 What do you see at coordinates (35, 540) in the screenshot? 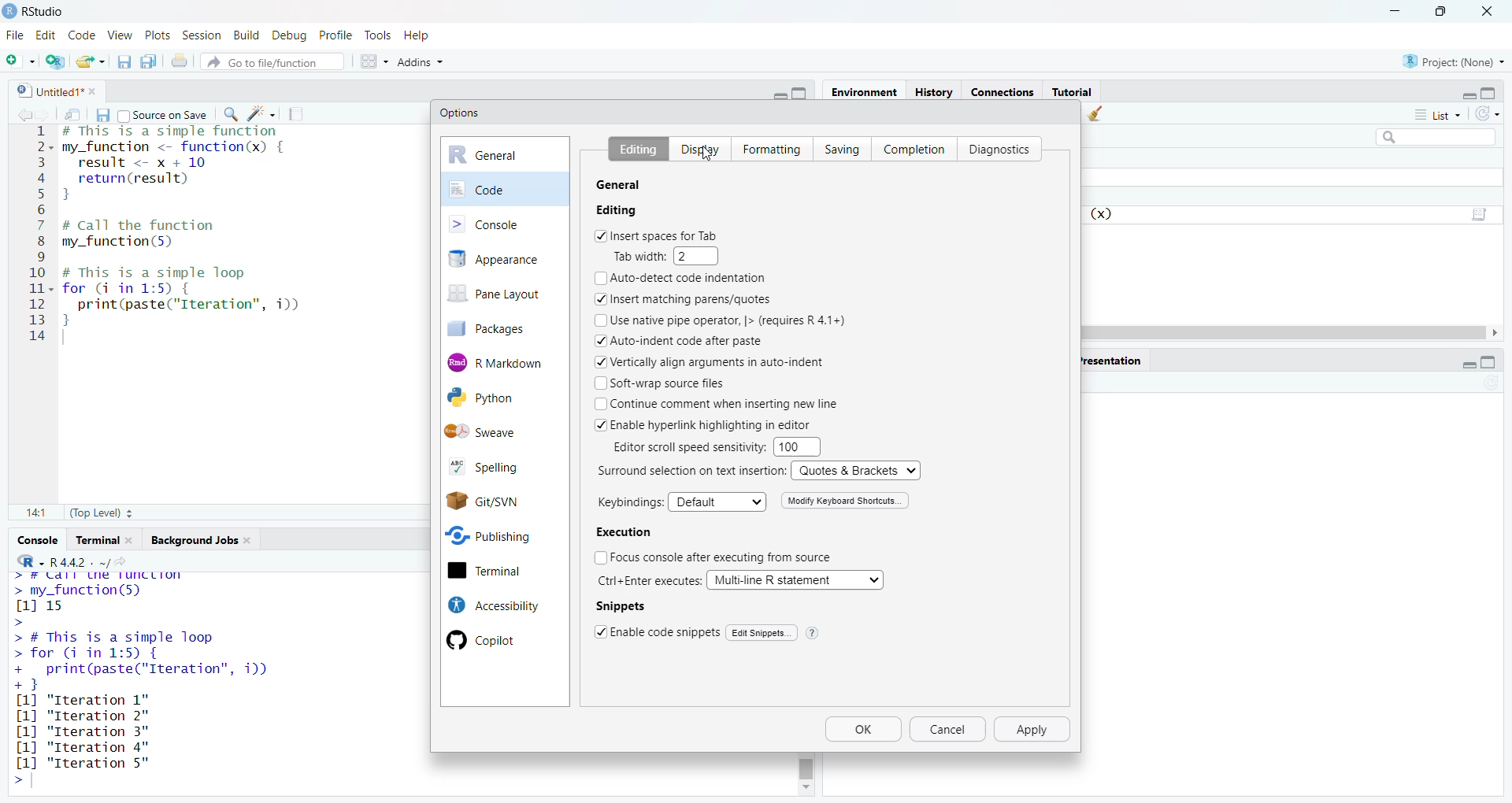
I see `console` at bounding box center [35, 540].